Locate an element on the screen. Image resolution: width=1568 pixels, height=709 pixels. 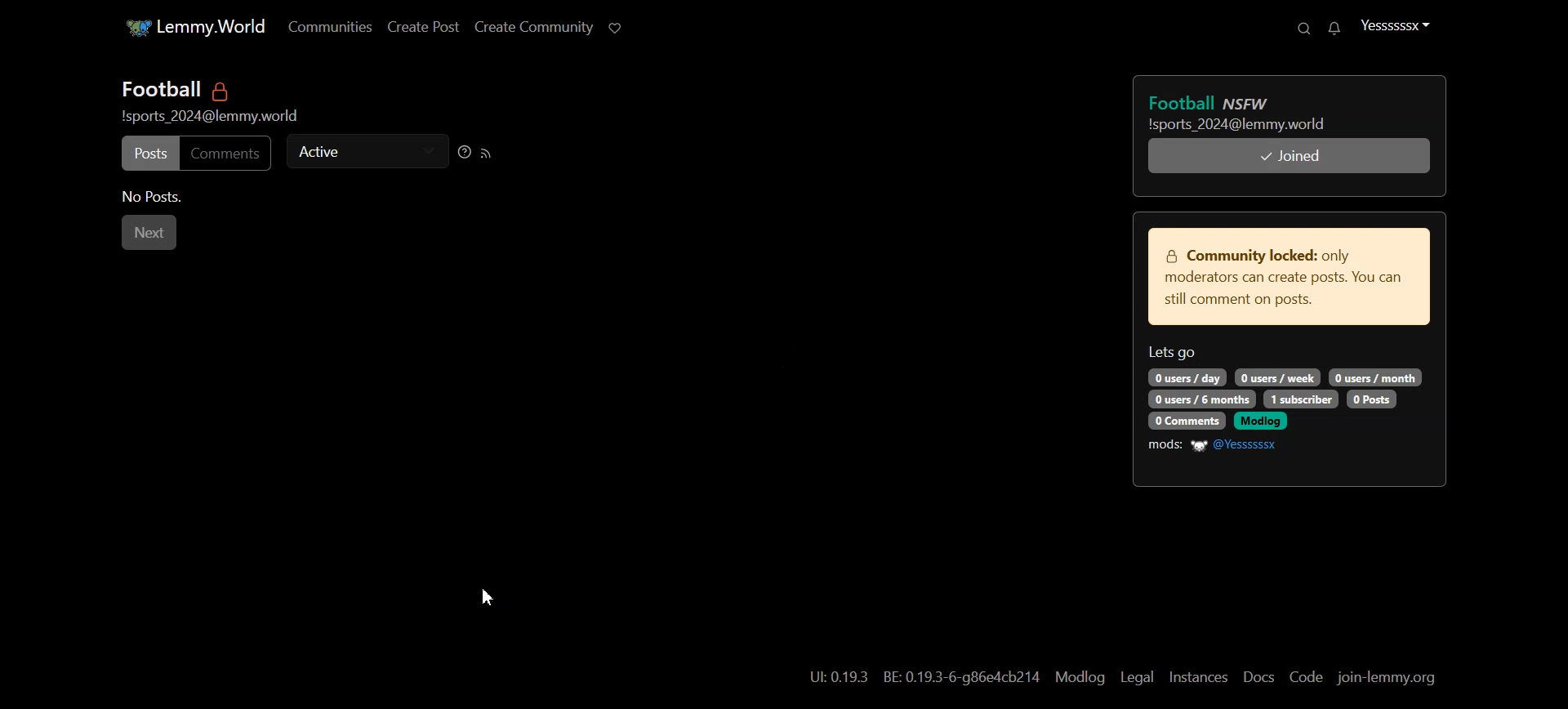
text is located at coordinates (1187, 421).